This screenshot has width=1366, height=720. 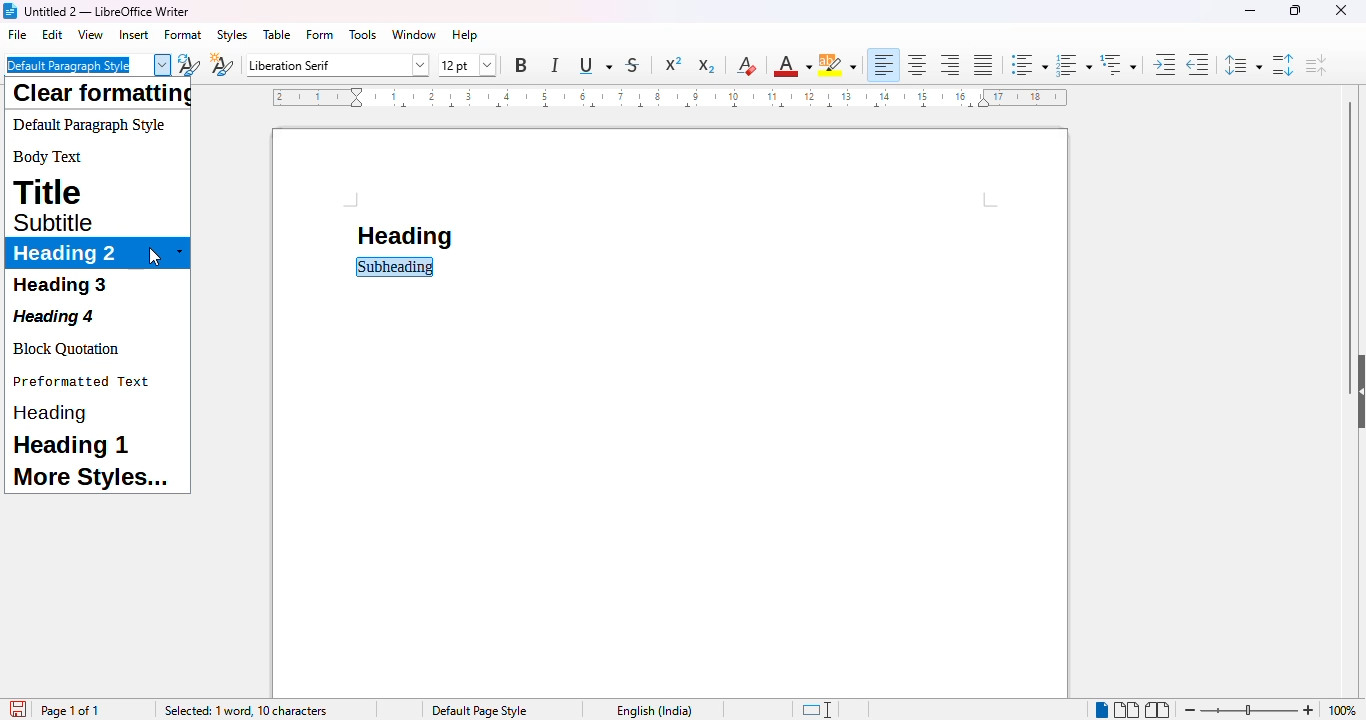 What do you see at coordinates (479, 710) in the screenshot?
I see `page style` at bounding box center [479, 710].